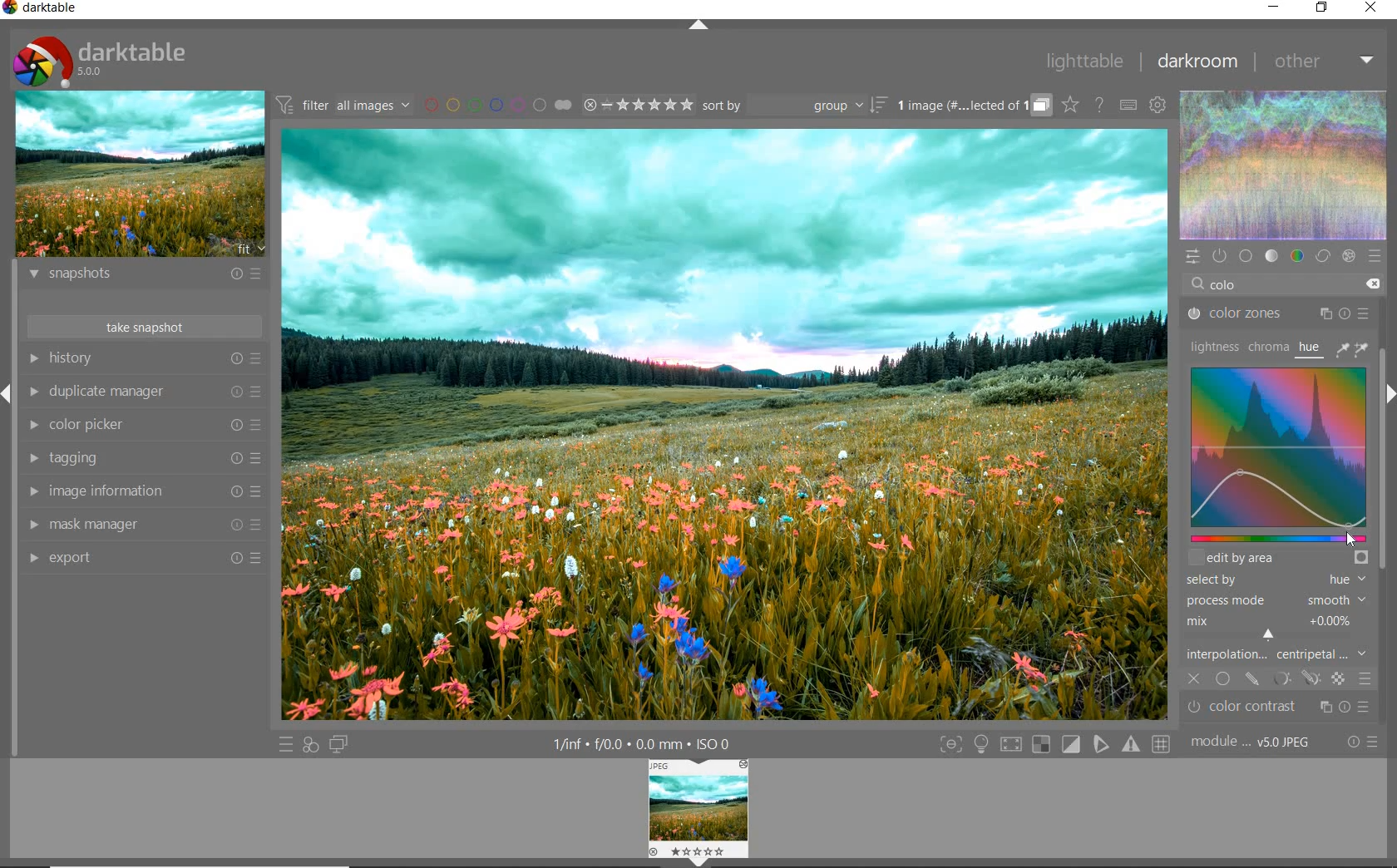 The width and height of the screenshot is (1397, 868). I want to click on base, so click(1246, 256).